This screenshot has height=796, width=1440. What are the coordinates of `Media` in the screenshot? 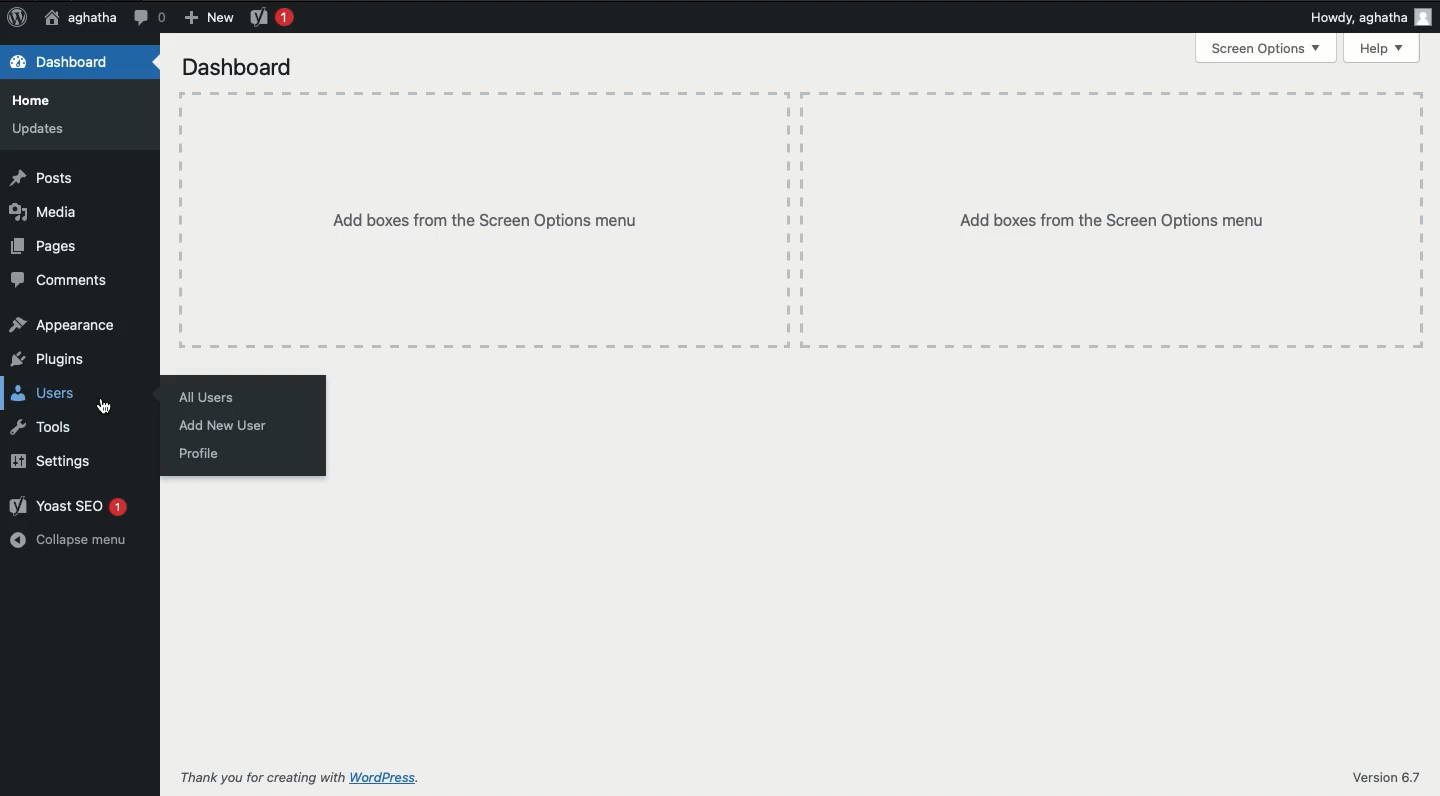 It's located at (46, 212).